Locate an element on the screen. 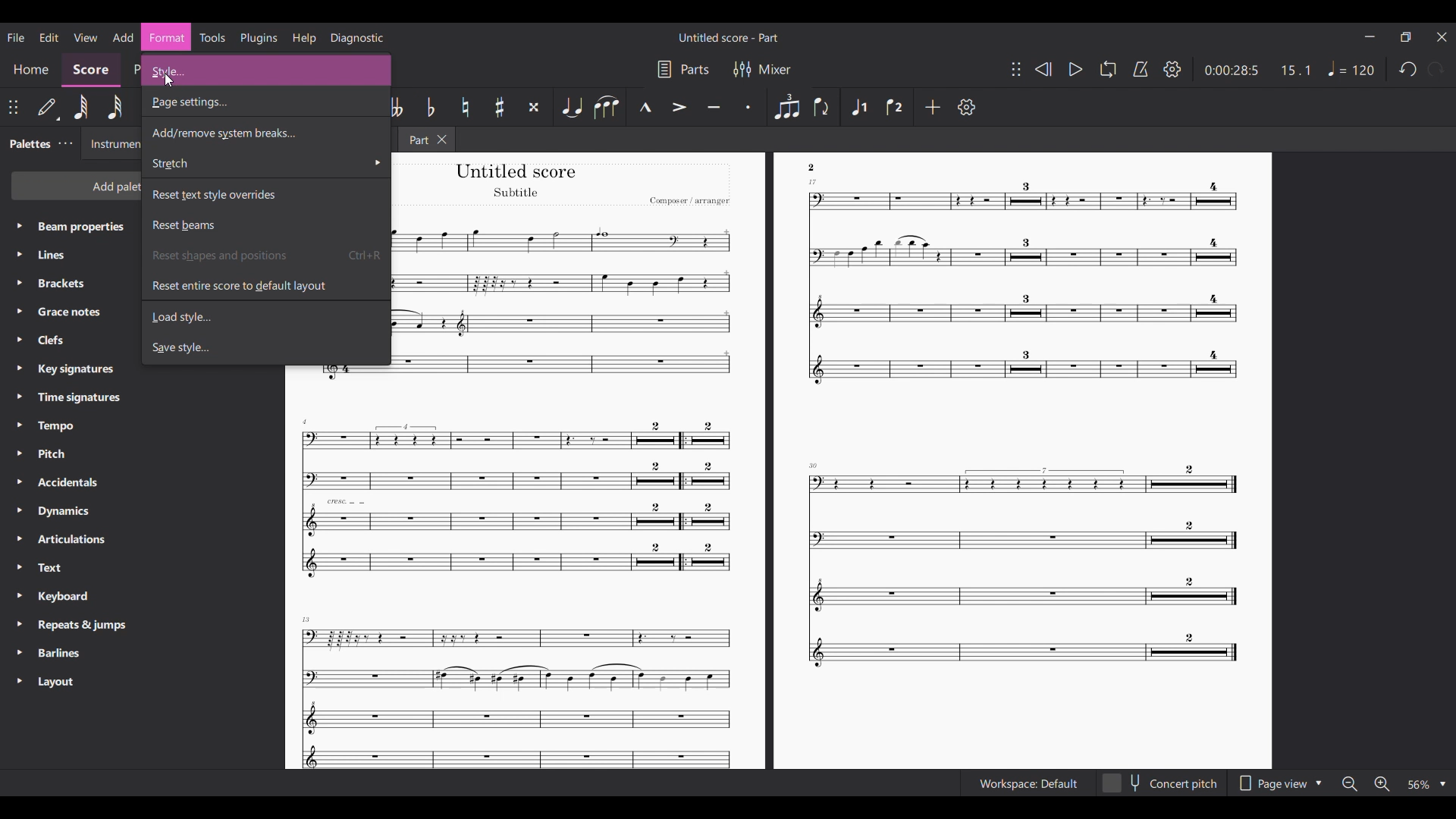 Image resolution: width=1456 pixels, height=819 pixels. Dynamics is located at coordinates (65, 510).